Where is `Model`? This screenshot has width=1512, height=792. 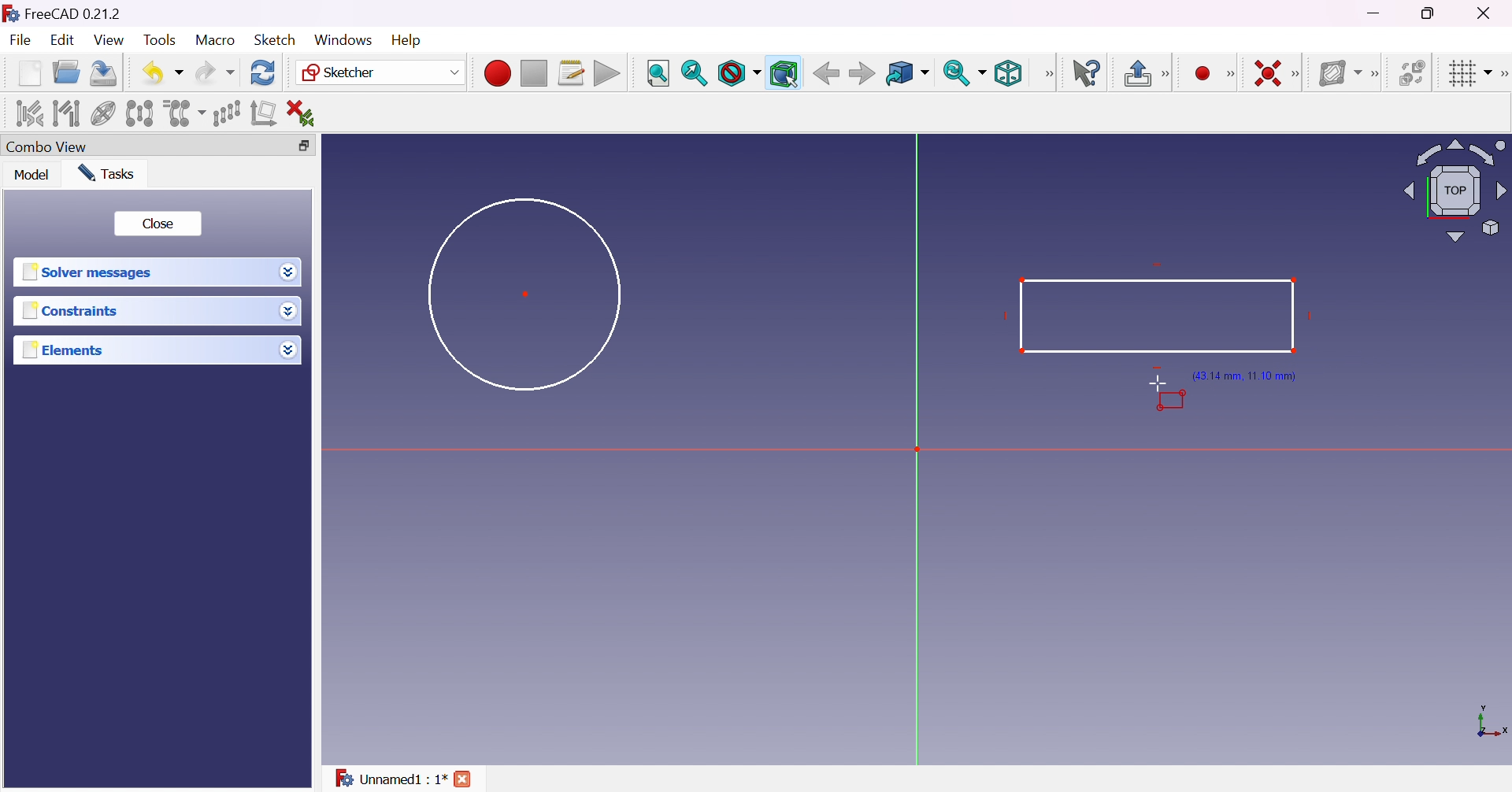 Model is located at coordinates (31, 175).